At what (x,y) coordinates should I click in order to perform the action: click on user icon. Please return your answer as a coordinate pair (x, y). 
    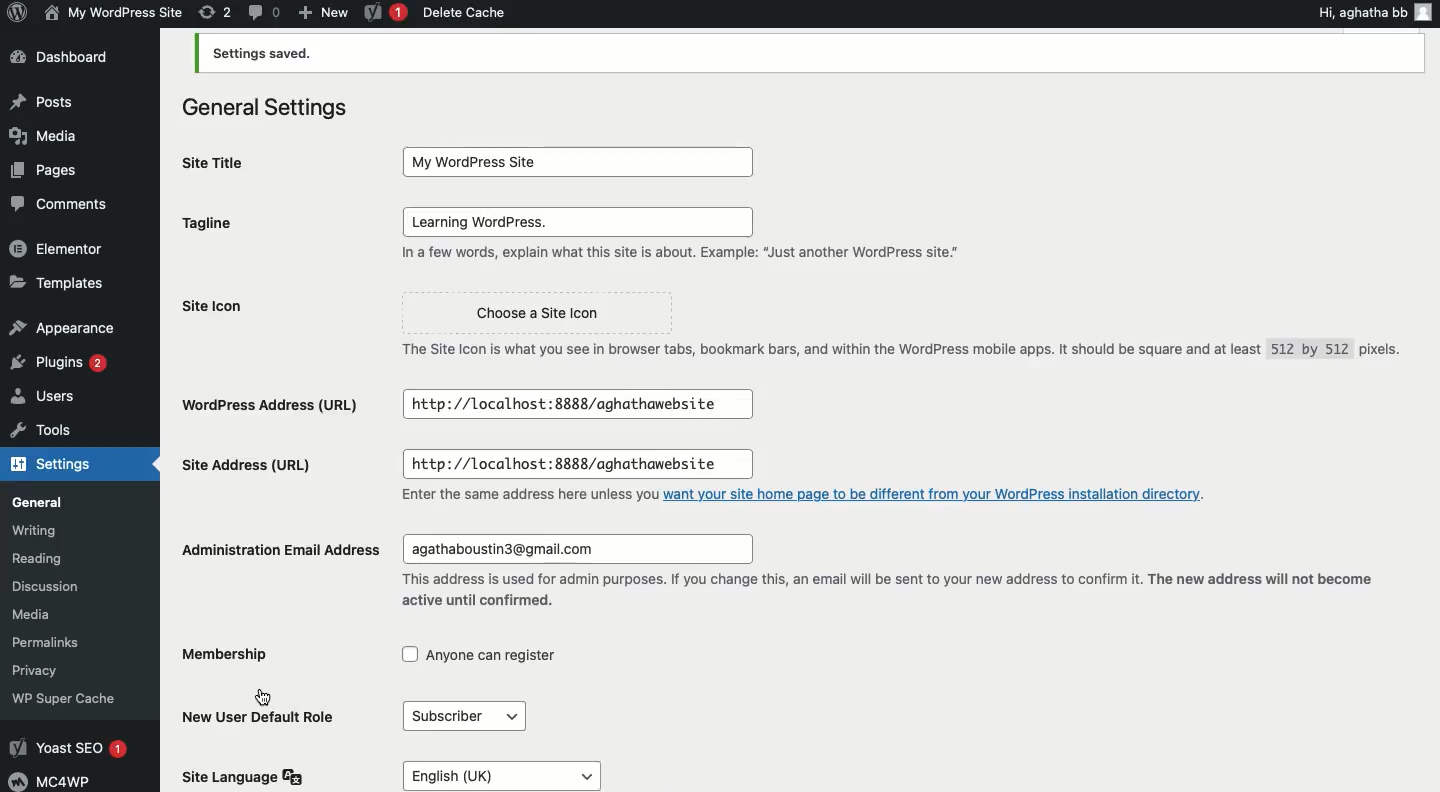
    Looking at the image, I should click on (1426, 11).